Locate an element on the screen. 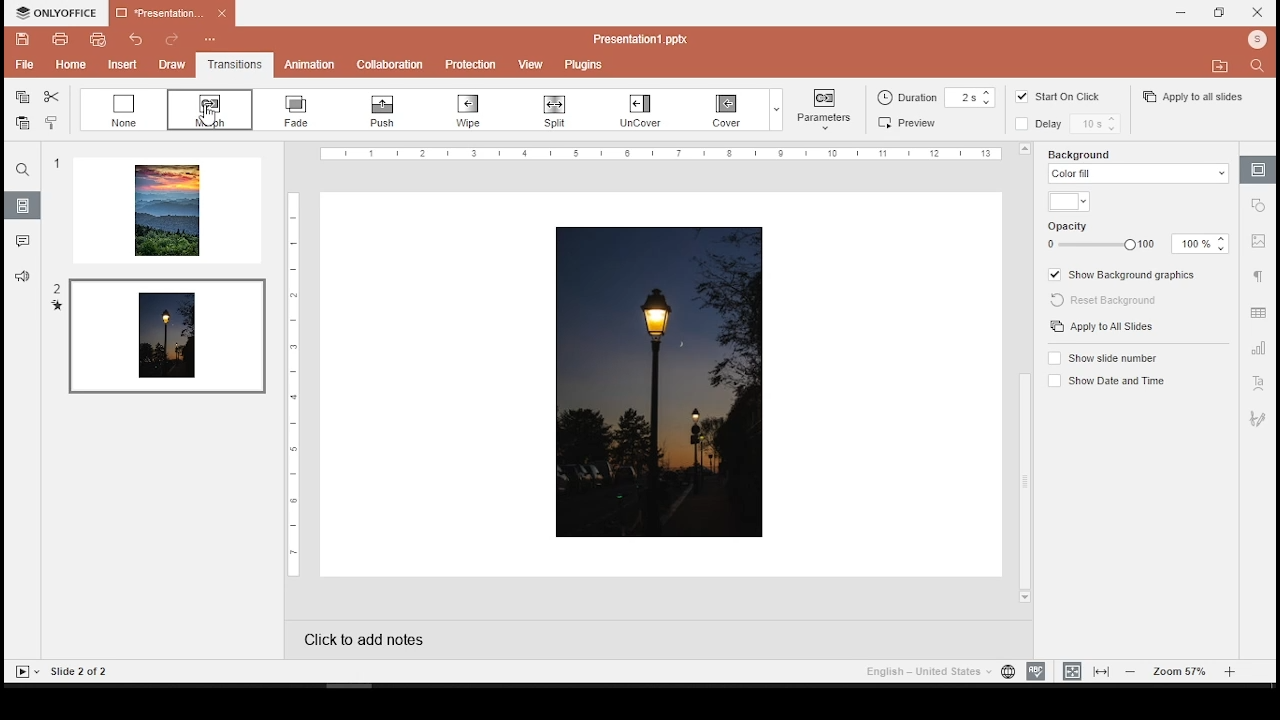  text art settings is located at coordinates (1259, 383).